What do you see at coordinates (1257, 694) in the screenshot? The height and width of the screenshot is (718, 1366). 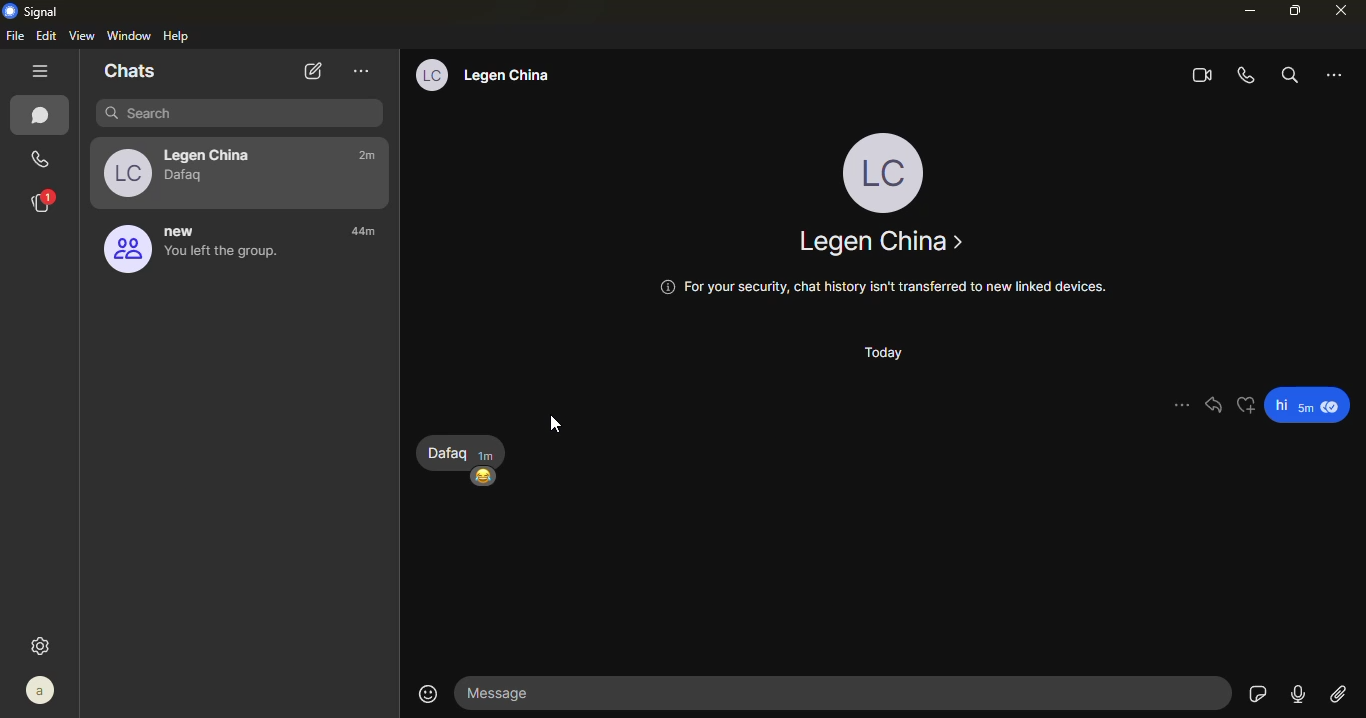 I see `sticker` at bounding box center [1257, 694].